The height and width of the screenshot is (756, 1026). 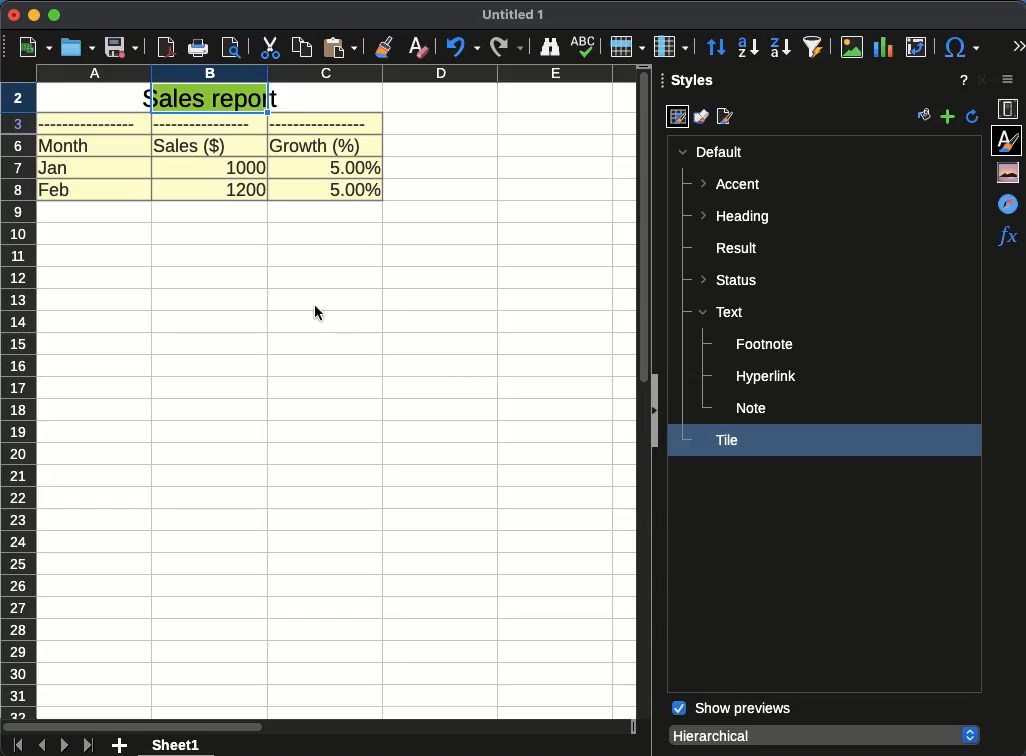 I want to click on cut, so click(x=271, y=48).